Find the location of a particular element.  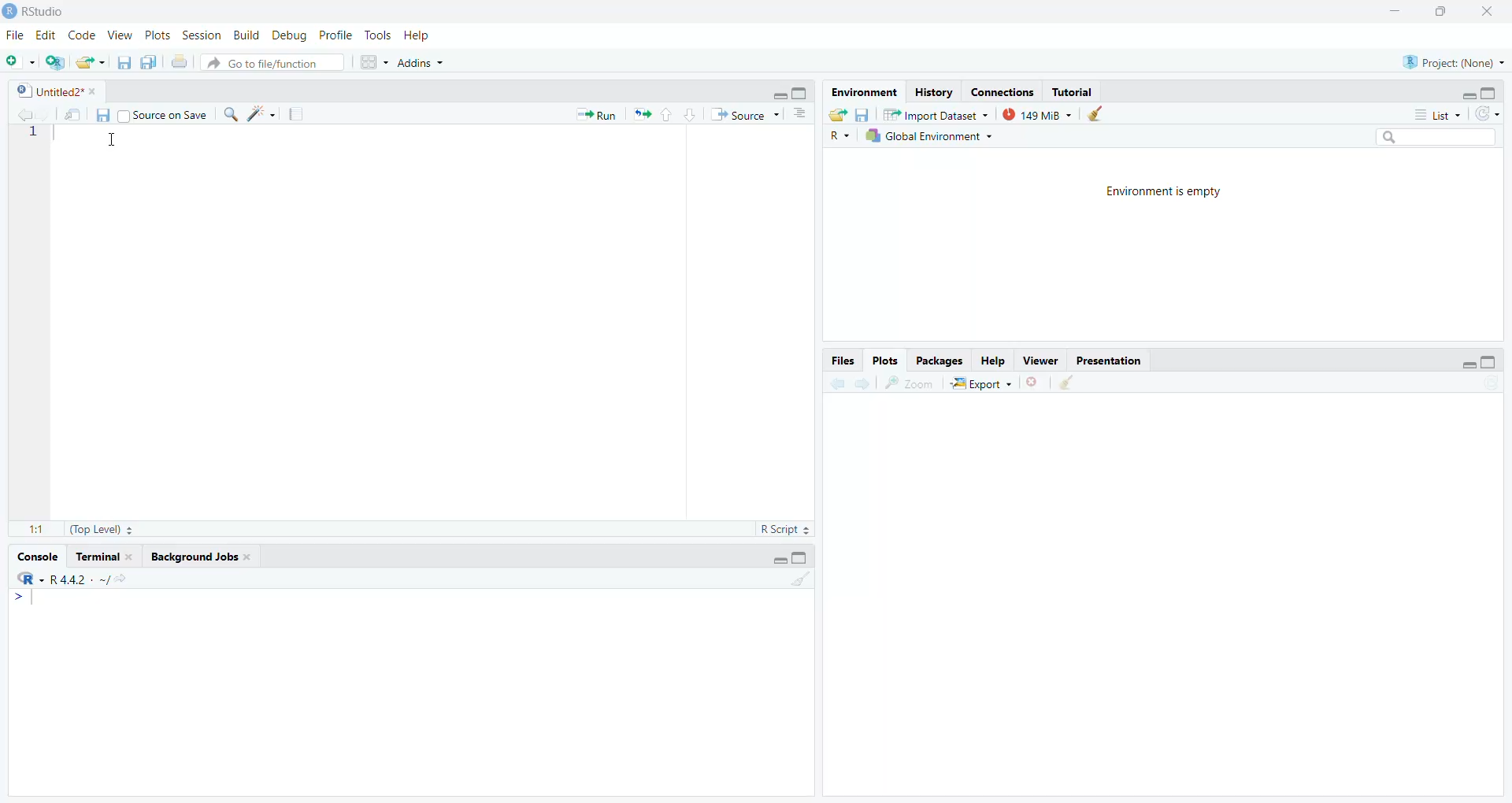

(Top Level) is located at coordinates (99, 529).